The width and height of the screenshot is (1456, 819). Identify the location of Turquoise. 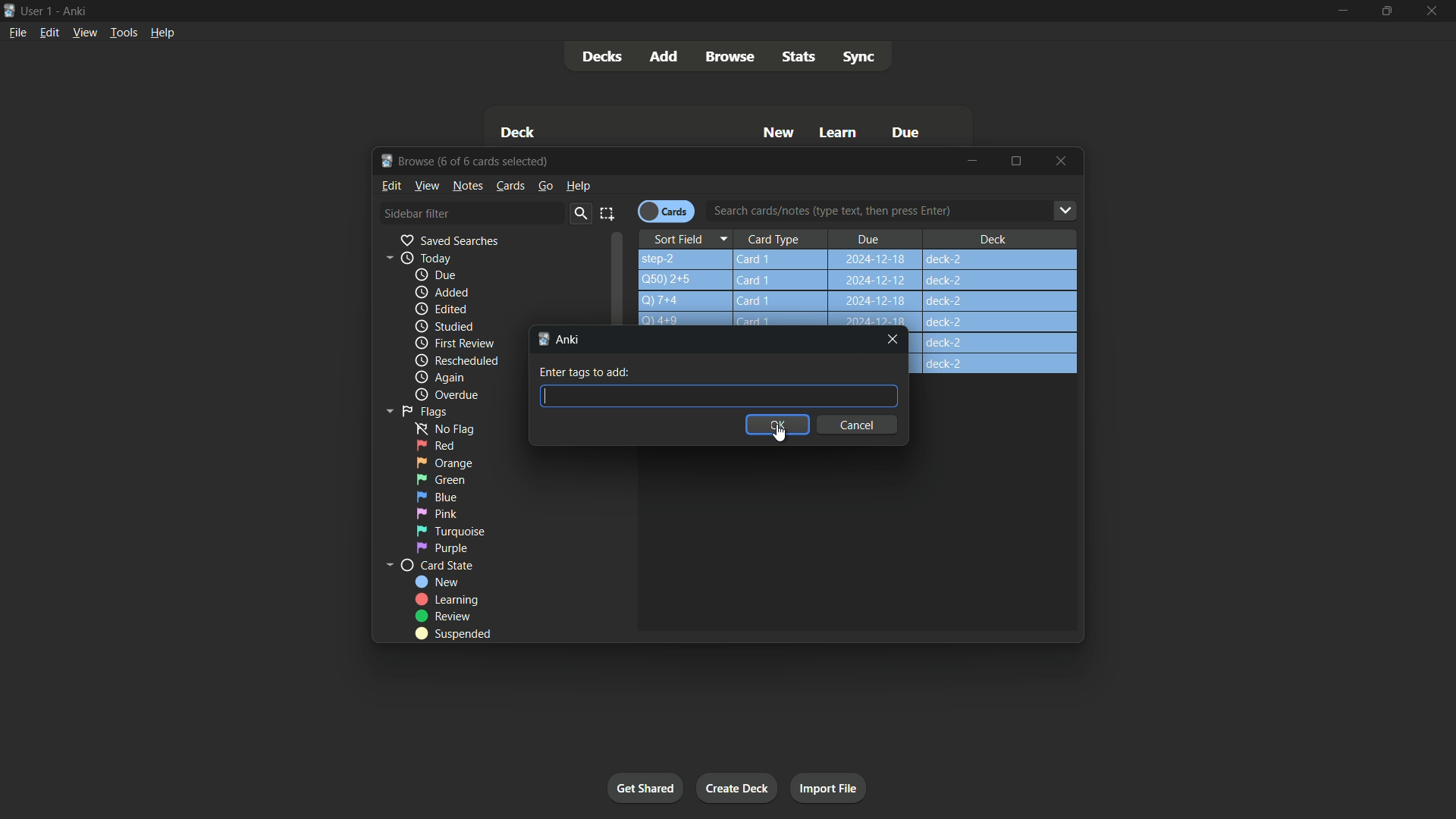
(449, 531).